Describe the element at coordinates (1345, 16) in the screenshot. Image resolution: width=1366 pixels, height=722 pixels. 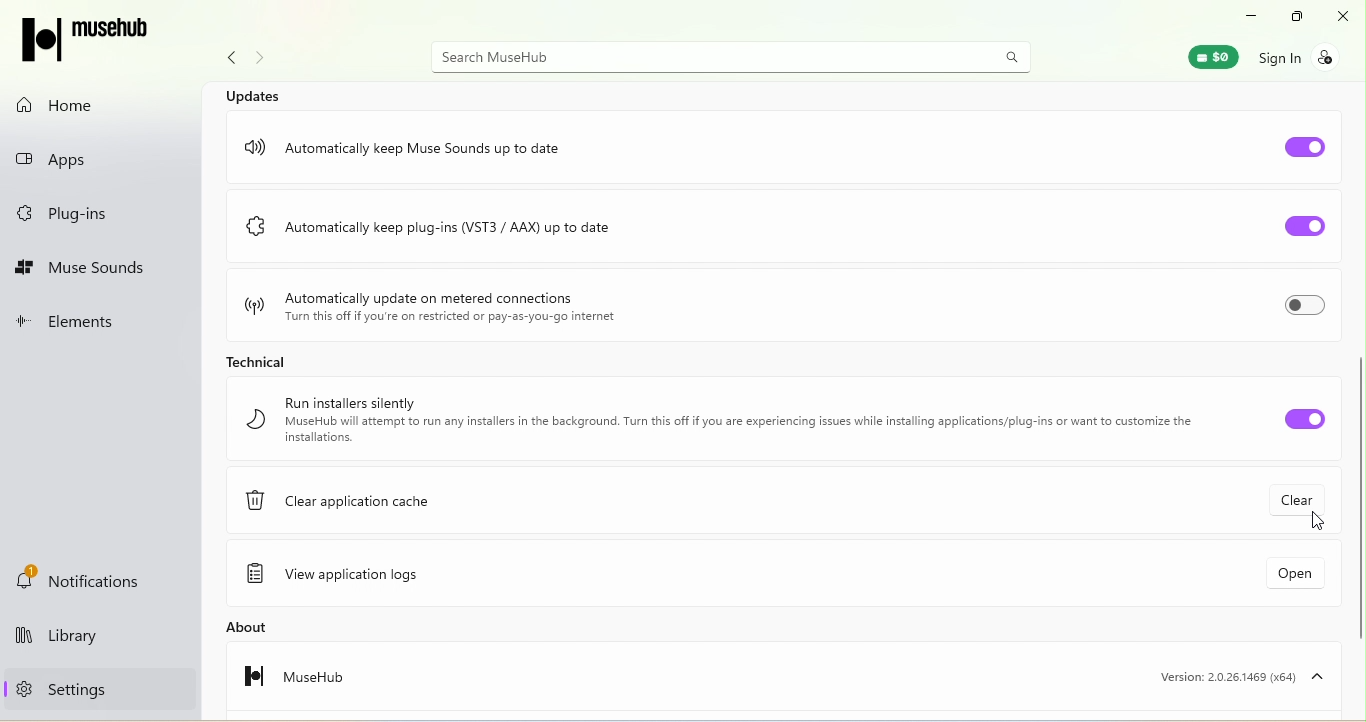
I see `Close ` at that location.